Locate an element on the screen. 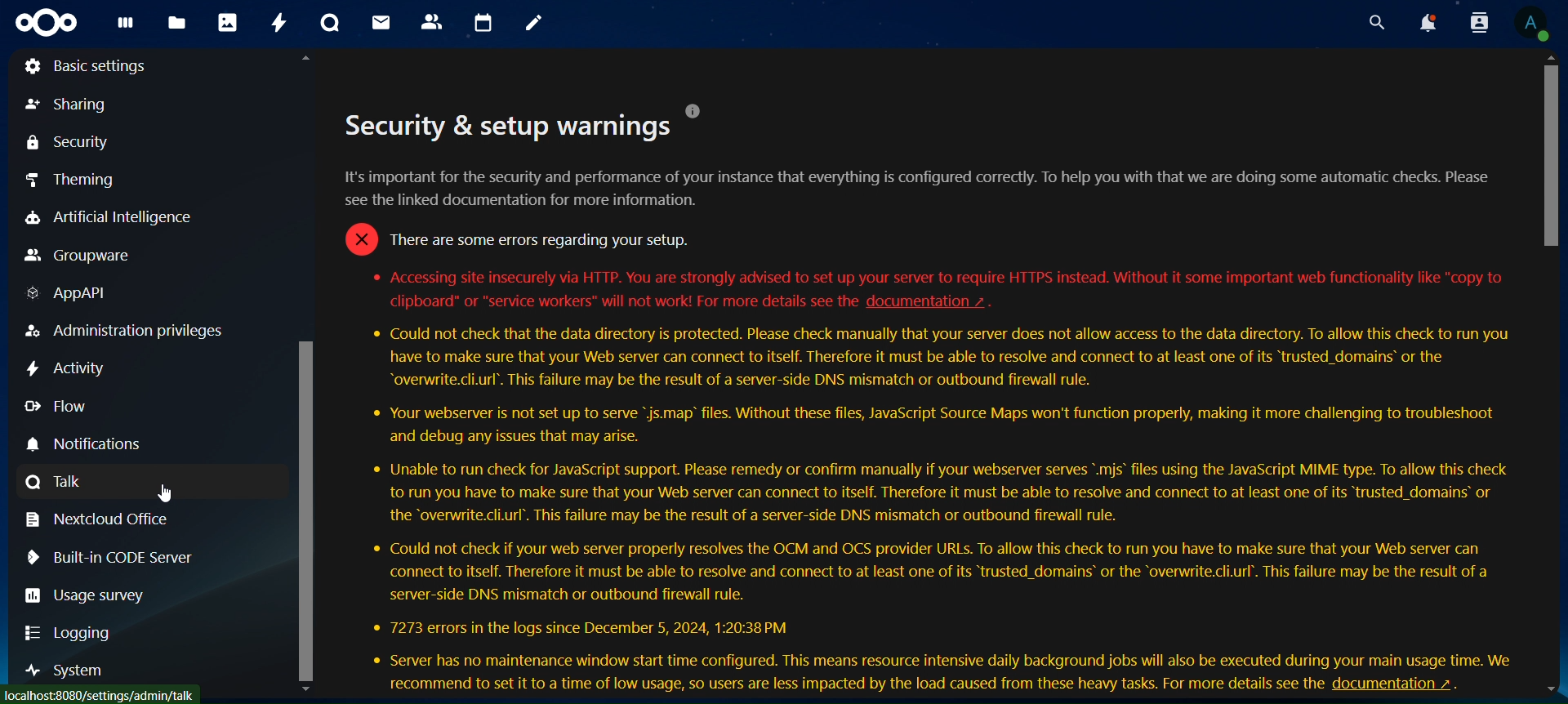  nextcloud office is located at coordinates (95, 520).